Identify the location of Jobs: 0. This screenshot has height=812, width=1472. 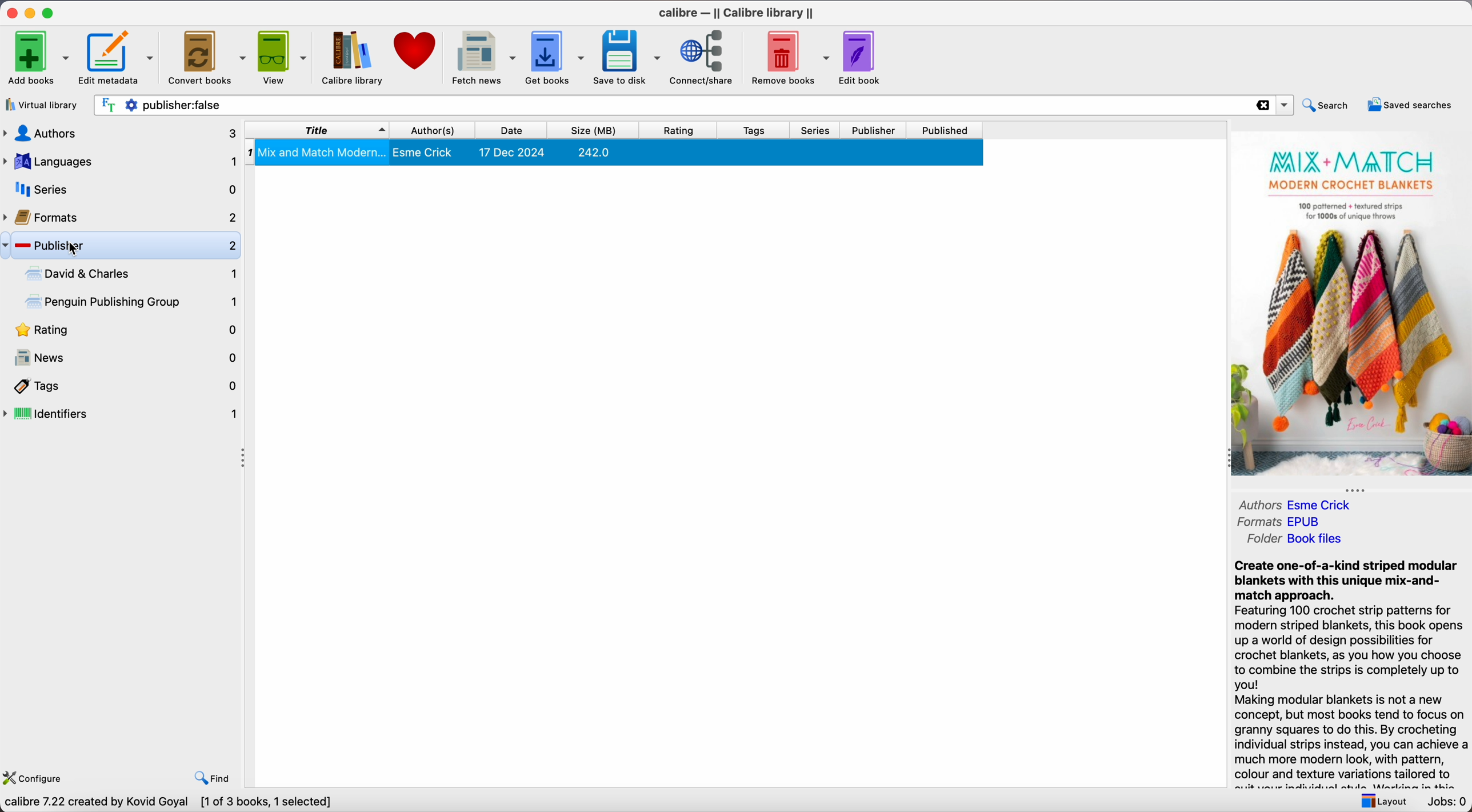
(1445, 802).